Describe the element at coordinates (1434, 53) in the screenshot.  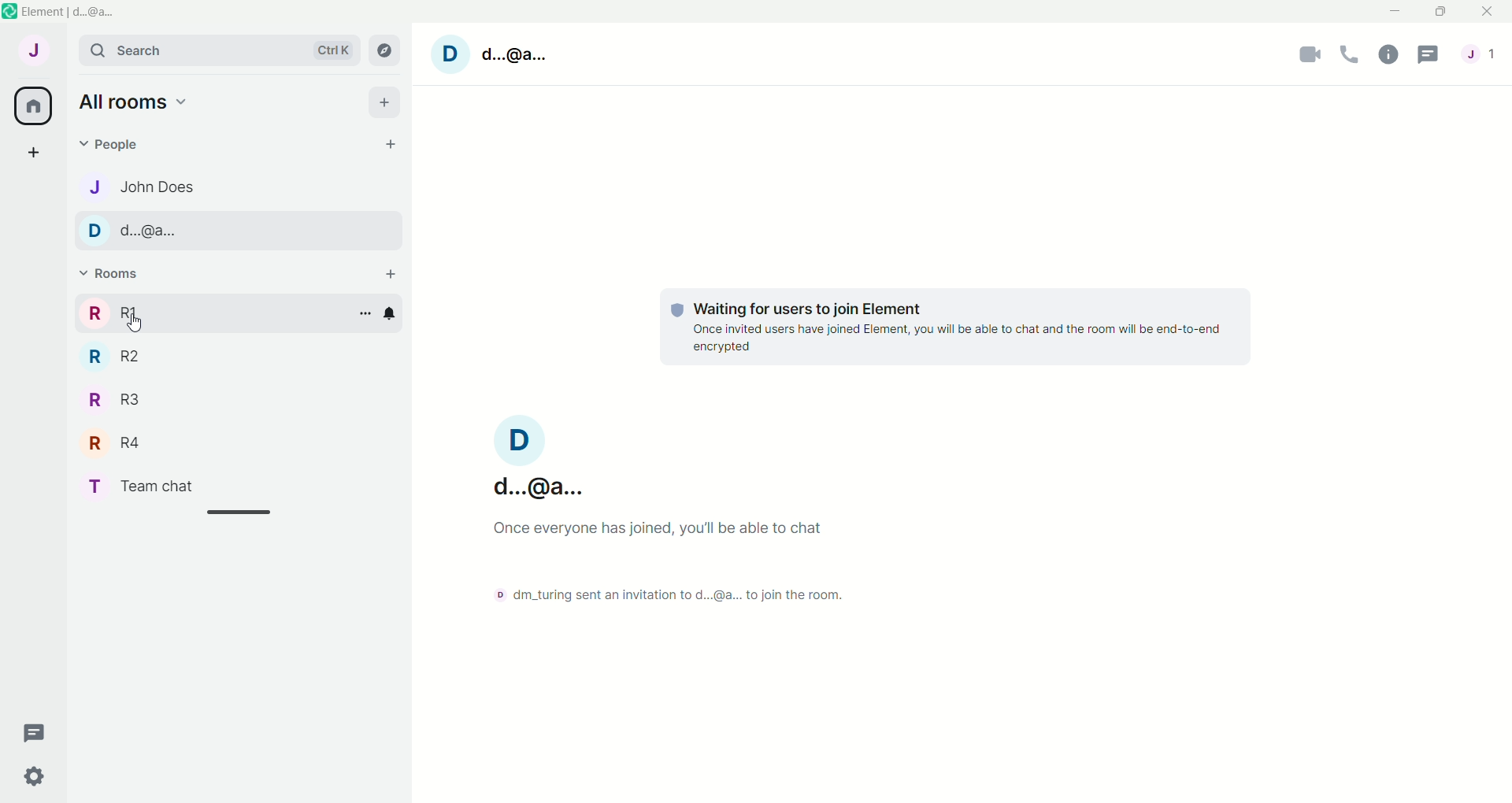
I see `threads` at that location.